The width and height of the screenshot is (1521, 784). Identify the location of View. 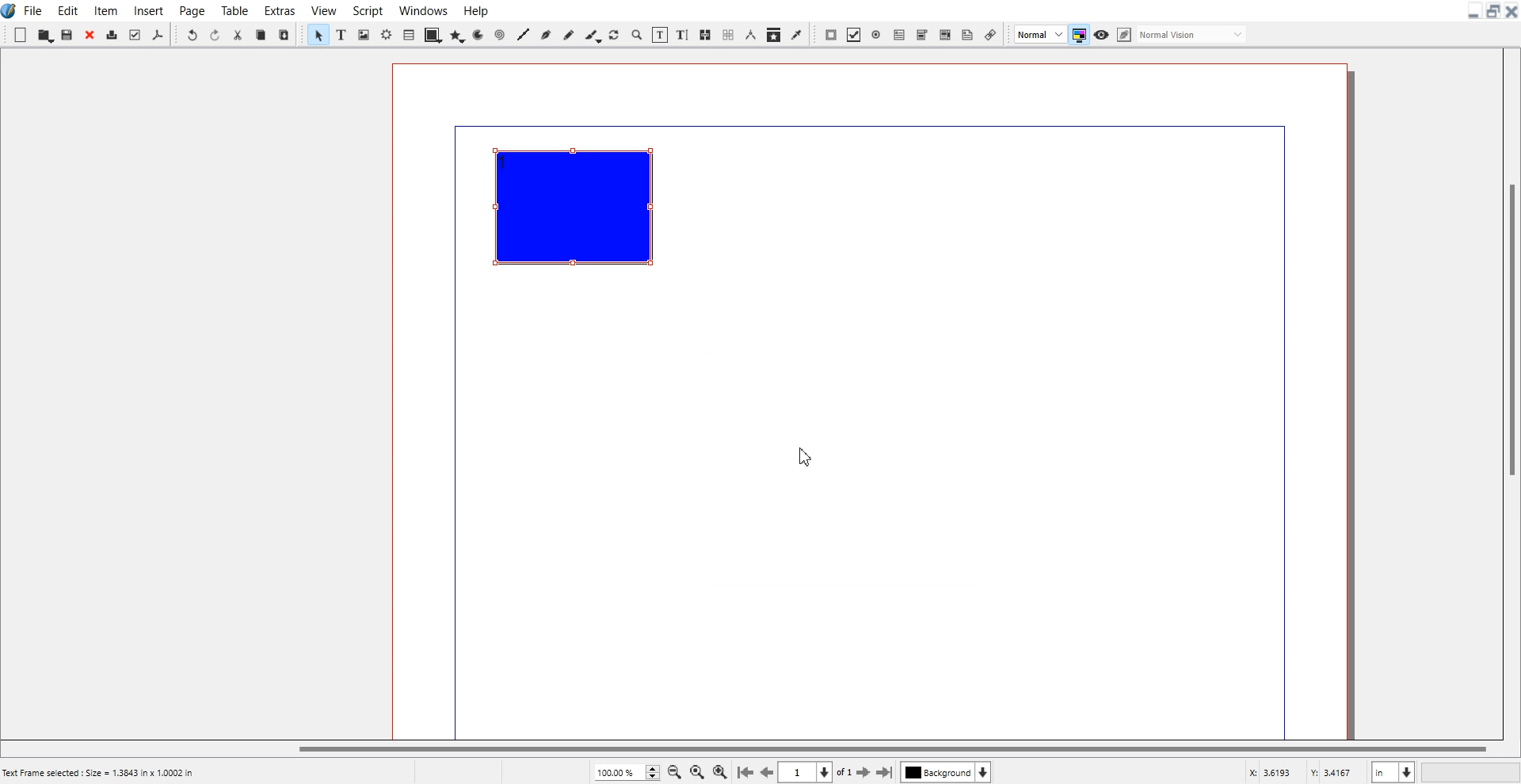
(323, 10).